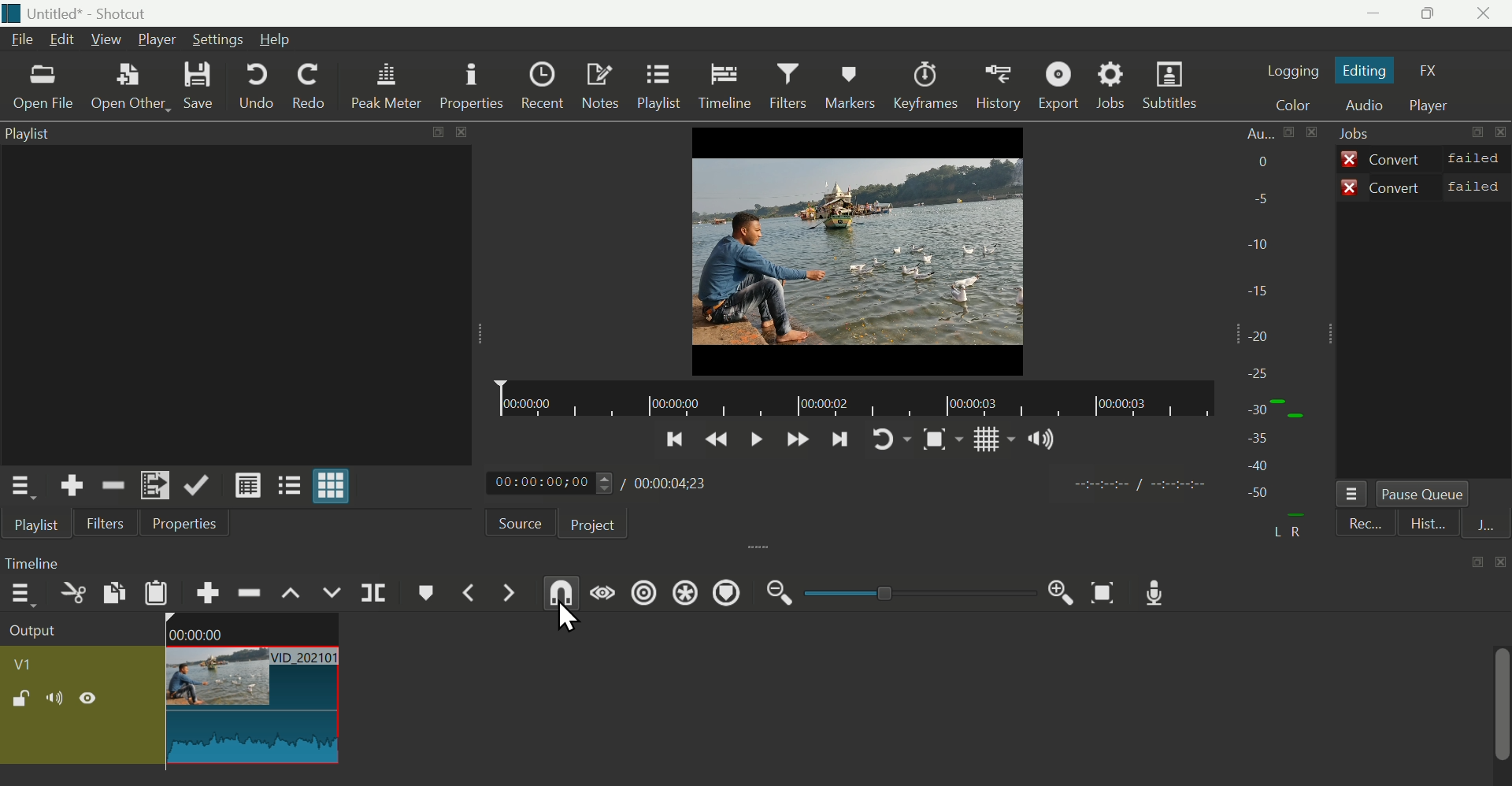 The image size is (1512, 786). What do you see at coordinates (72, 598) in the screenshot?
I see `Cut` at bounding box center [72, 598].